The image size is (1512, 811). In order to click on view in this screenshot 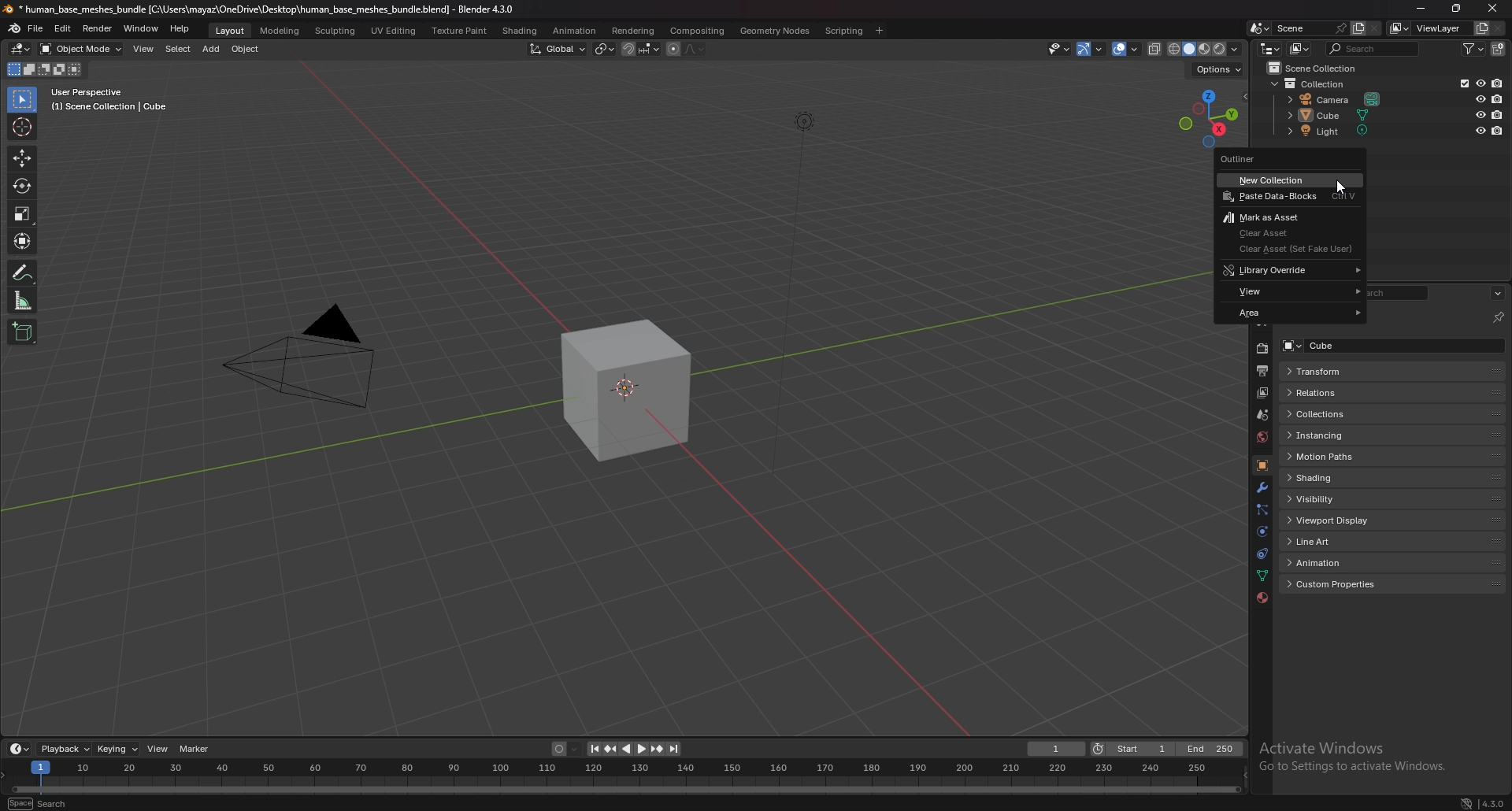, I will do `click(1295, 292)`.